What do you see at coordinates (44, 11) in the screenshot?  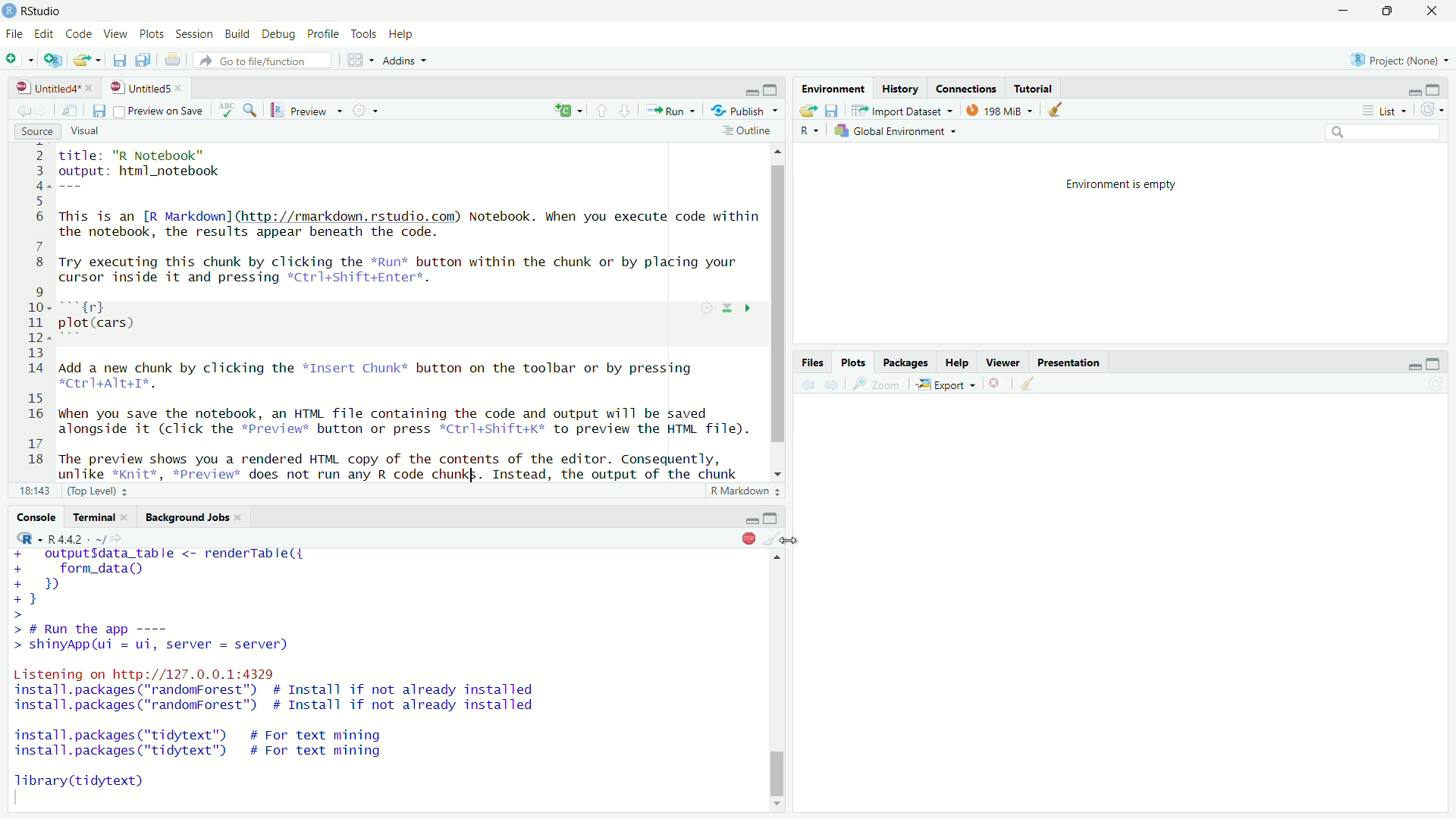 I see `RStudio` at bounding box center [44, 11].